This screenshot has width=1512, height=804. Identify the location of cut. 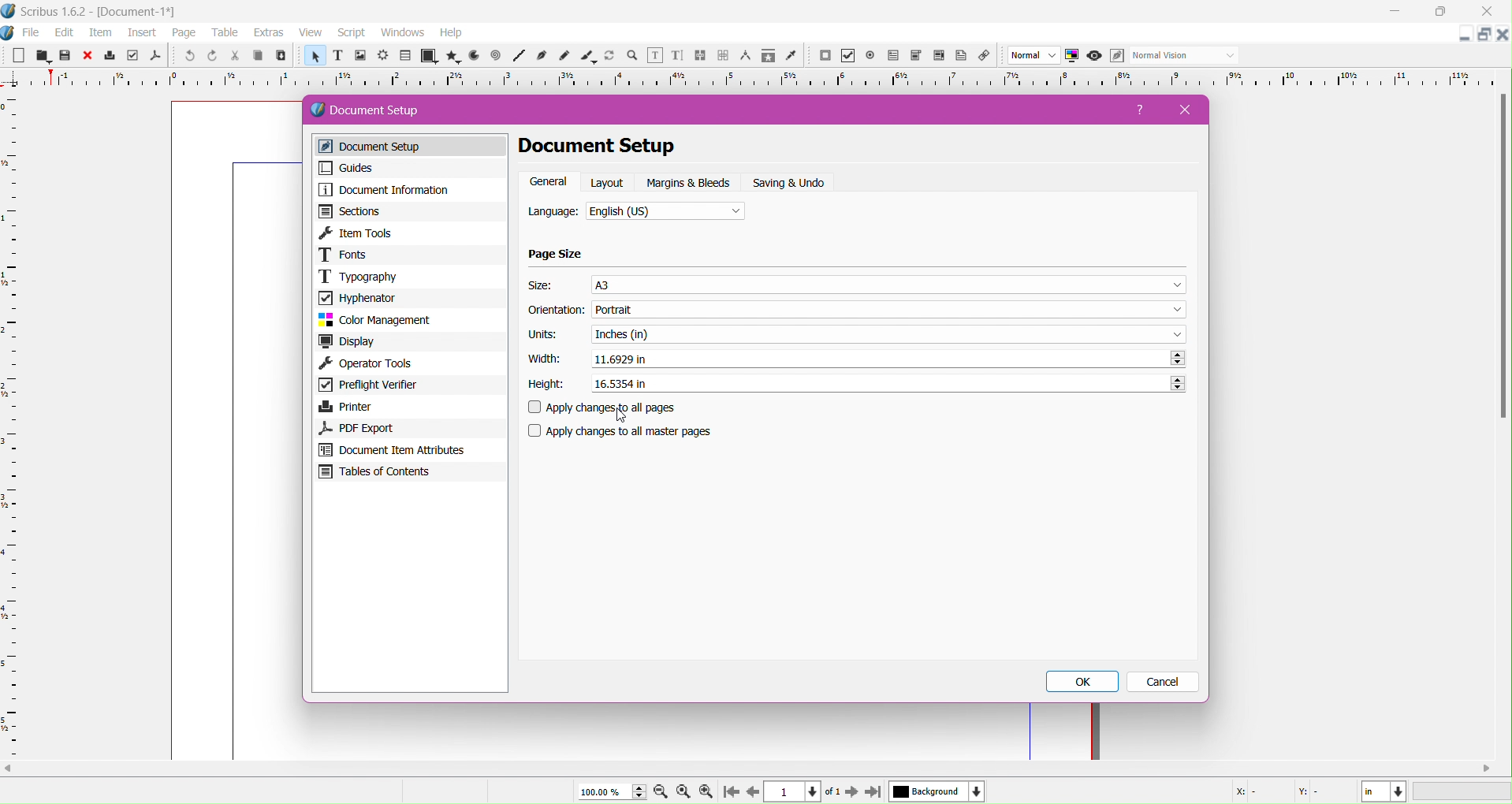
(233, 57).